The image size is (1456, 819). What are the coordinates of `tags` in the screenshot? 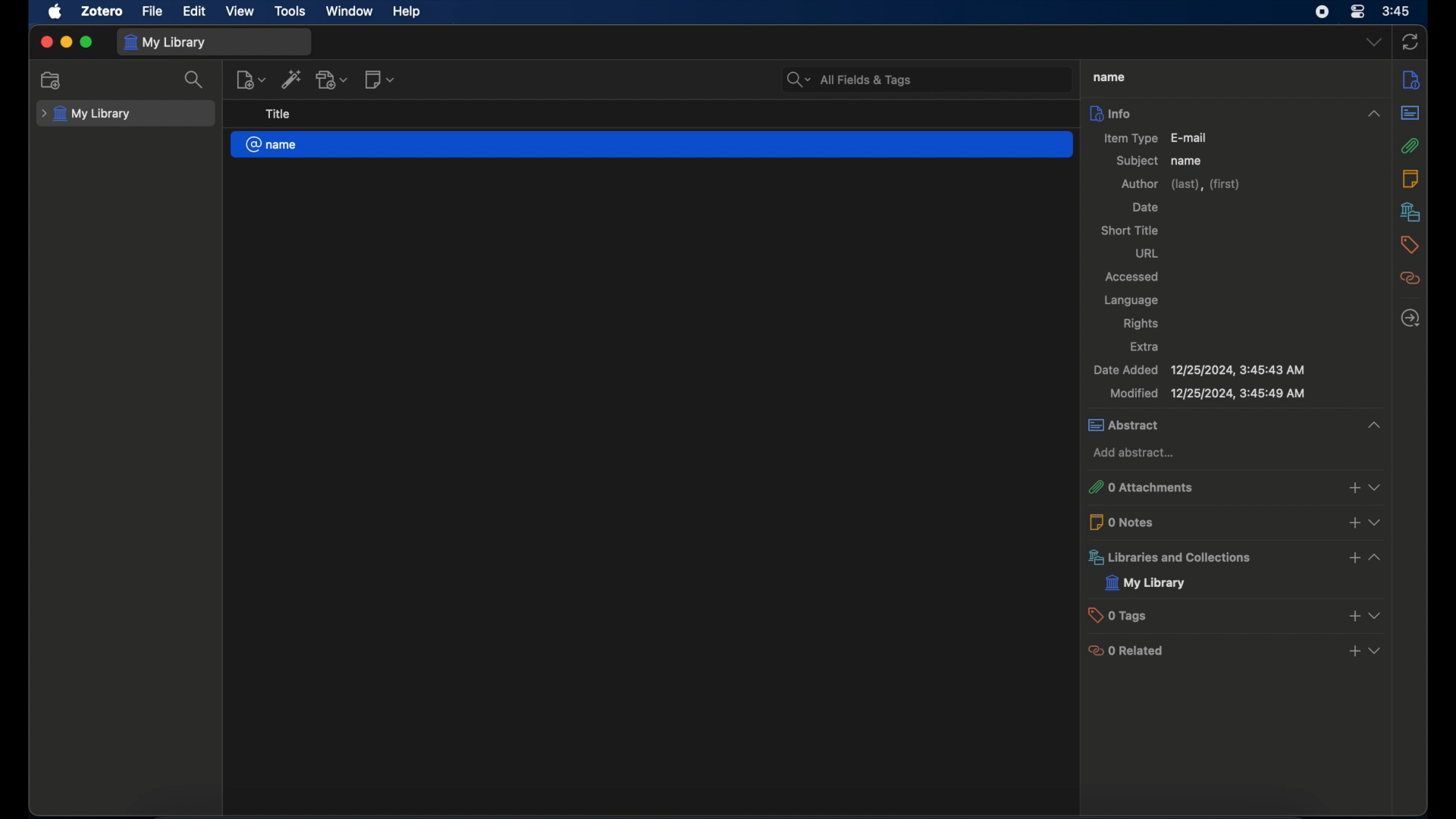 It's located at (1410, 245).